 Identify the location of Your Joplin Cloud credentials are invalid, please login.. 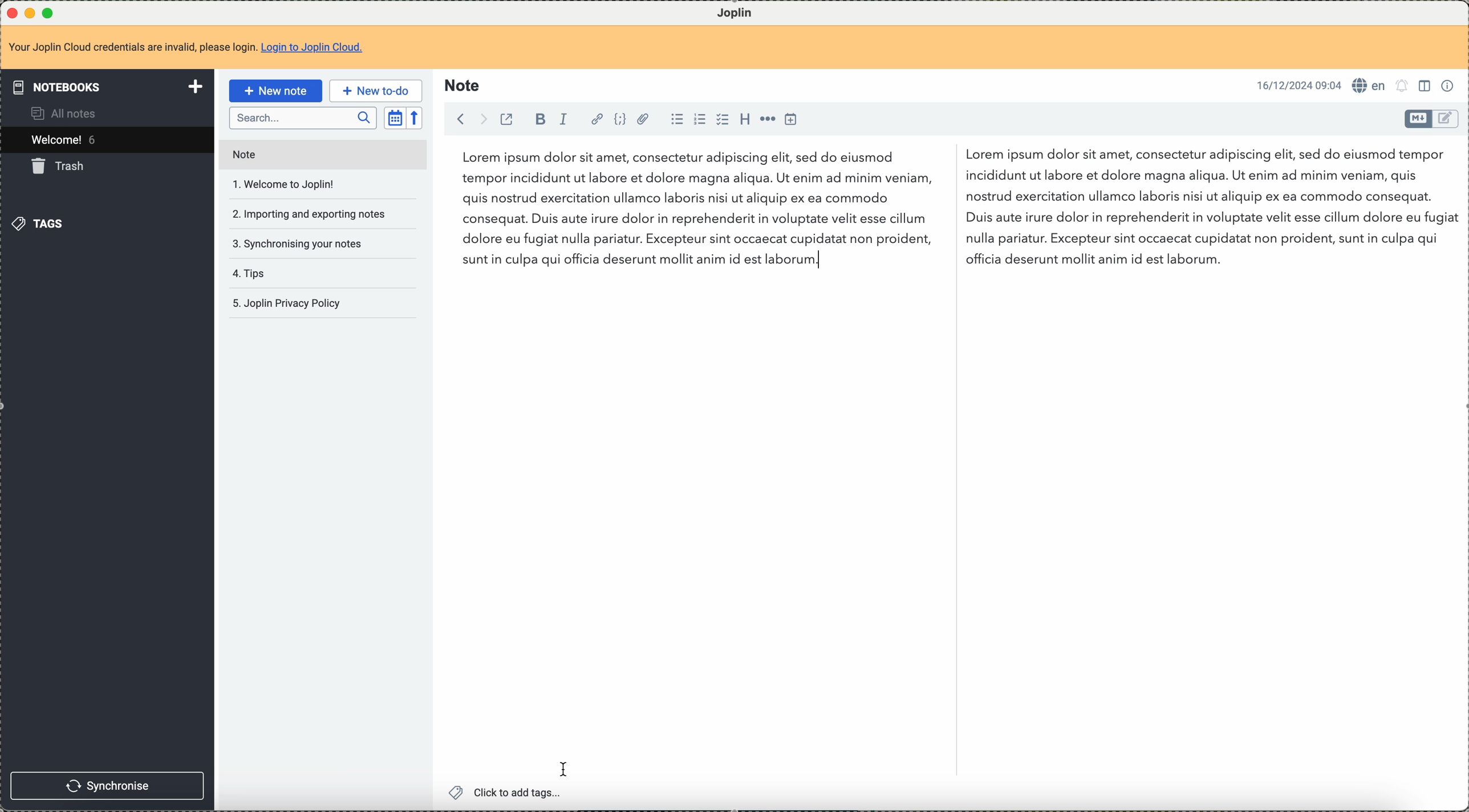
(132, 49).